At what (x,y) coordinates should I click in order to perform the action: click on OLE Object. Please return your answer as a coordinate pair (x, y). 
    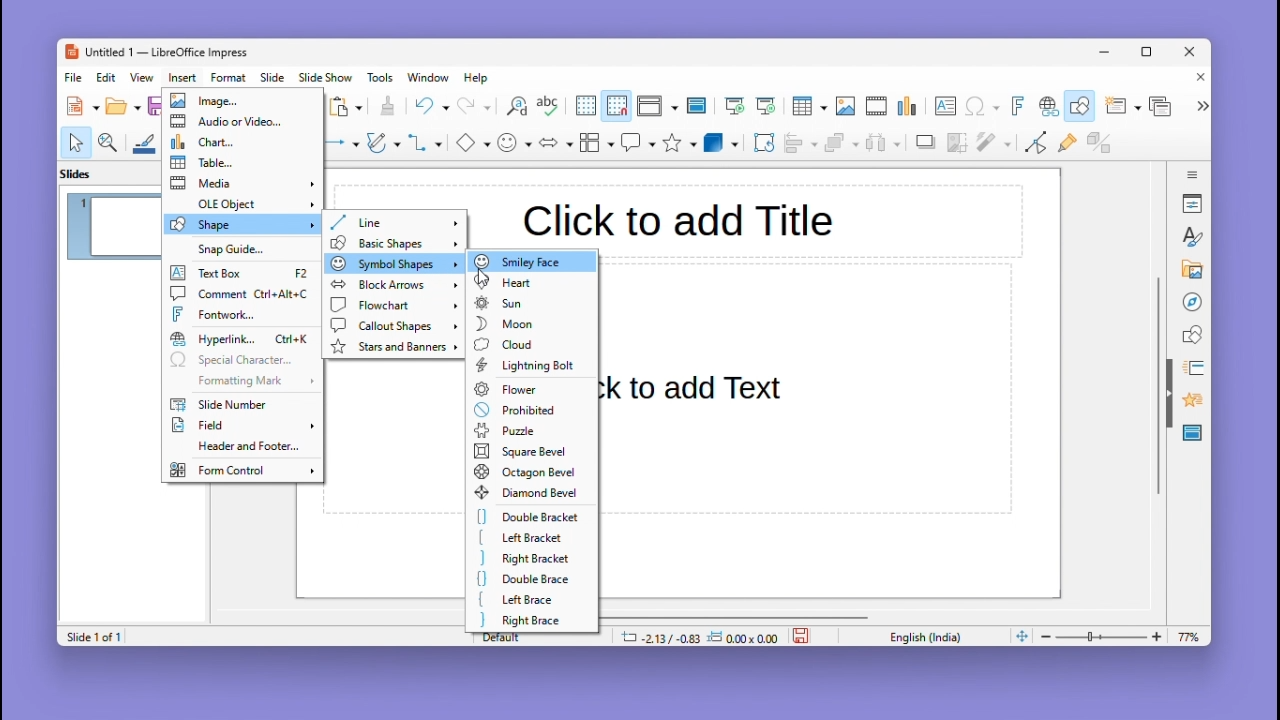
    Looking at the image, I should click on (242, 203).